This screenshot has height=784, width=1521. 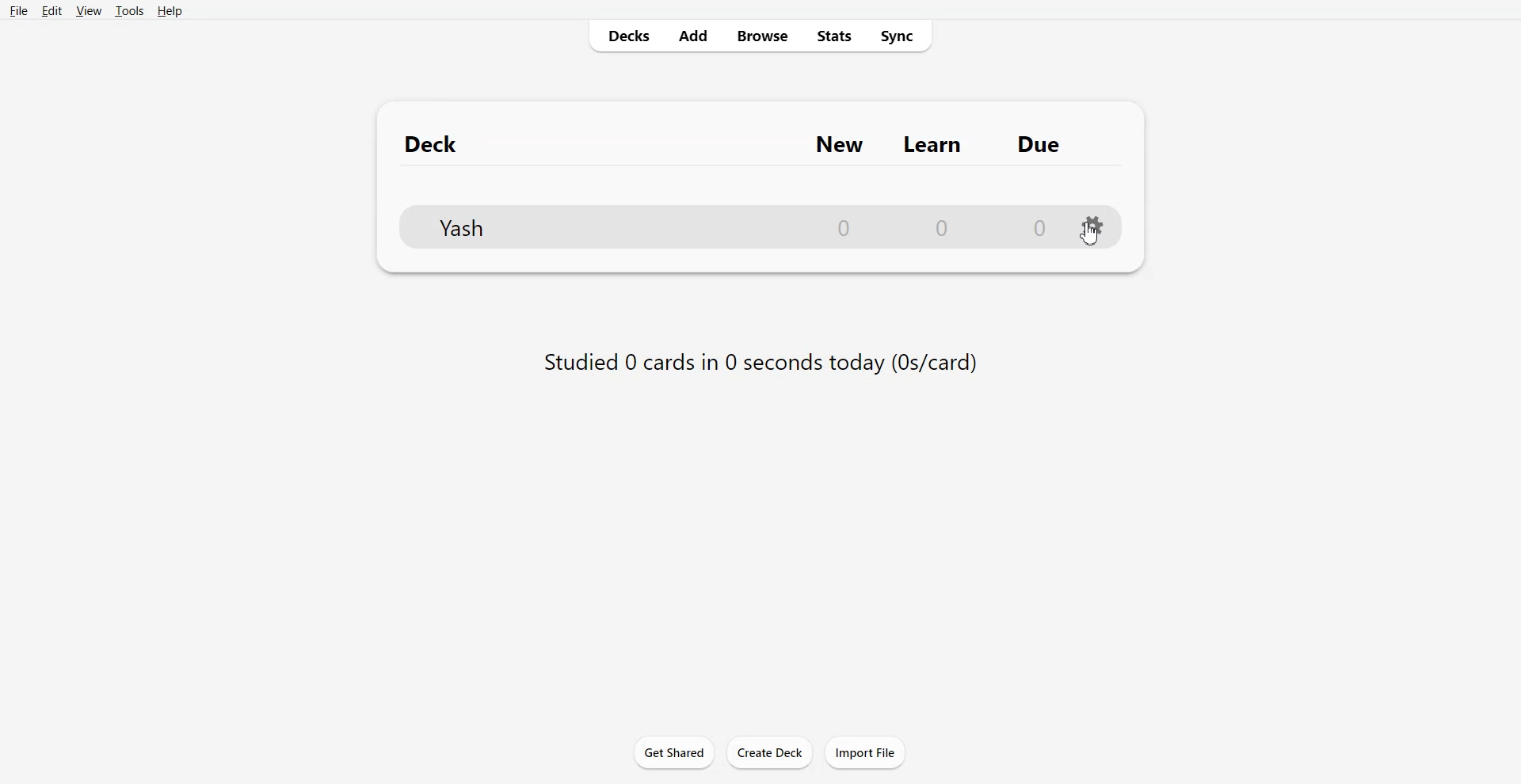 I want to click on Edit, so click(x=50, y=11).